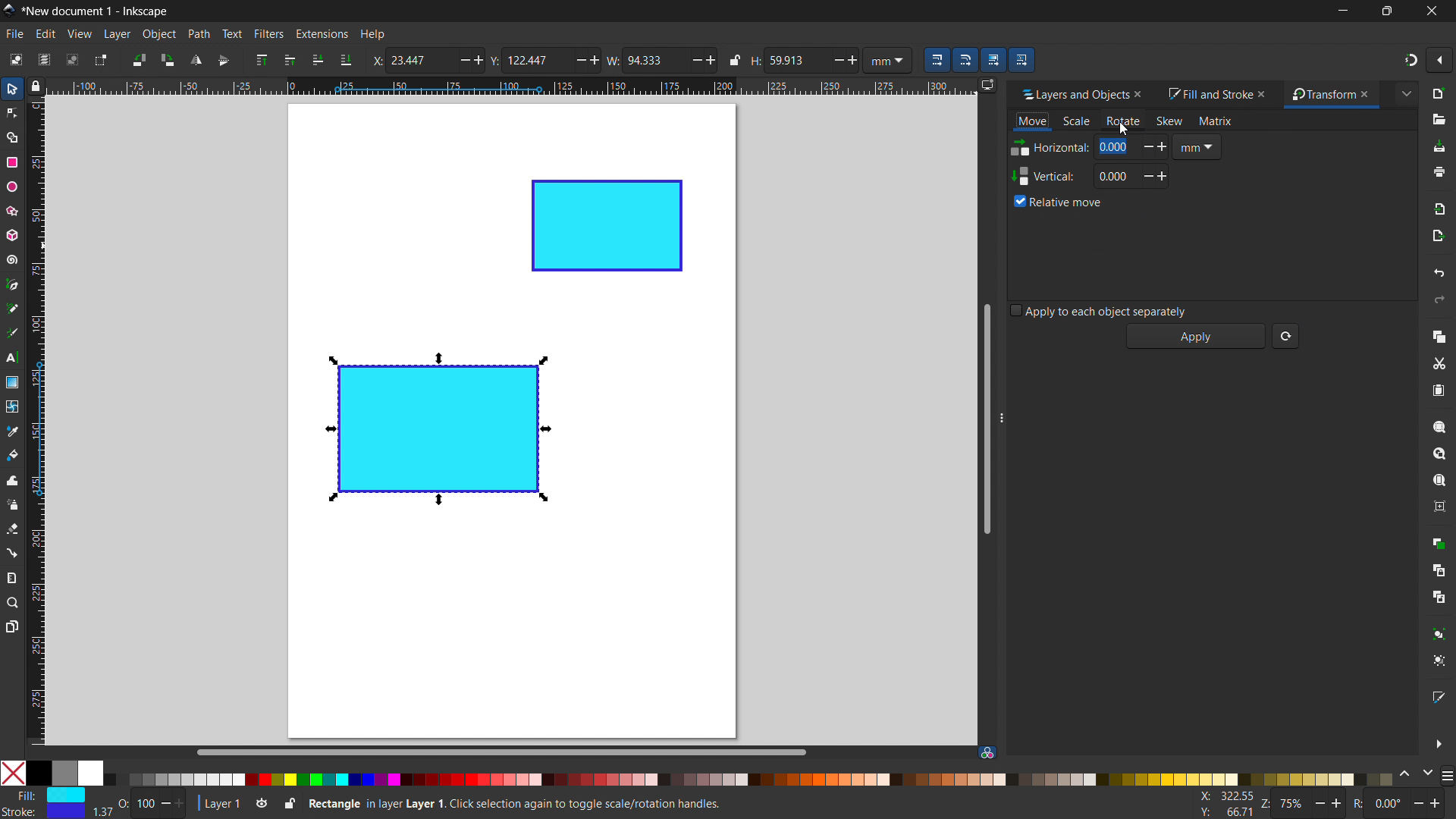  I want to click on extensions, so click(321, 33).